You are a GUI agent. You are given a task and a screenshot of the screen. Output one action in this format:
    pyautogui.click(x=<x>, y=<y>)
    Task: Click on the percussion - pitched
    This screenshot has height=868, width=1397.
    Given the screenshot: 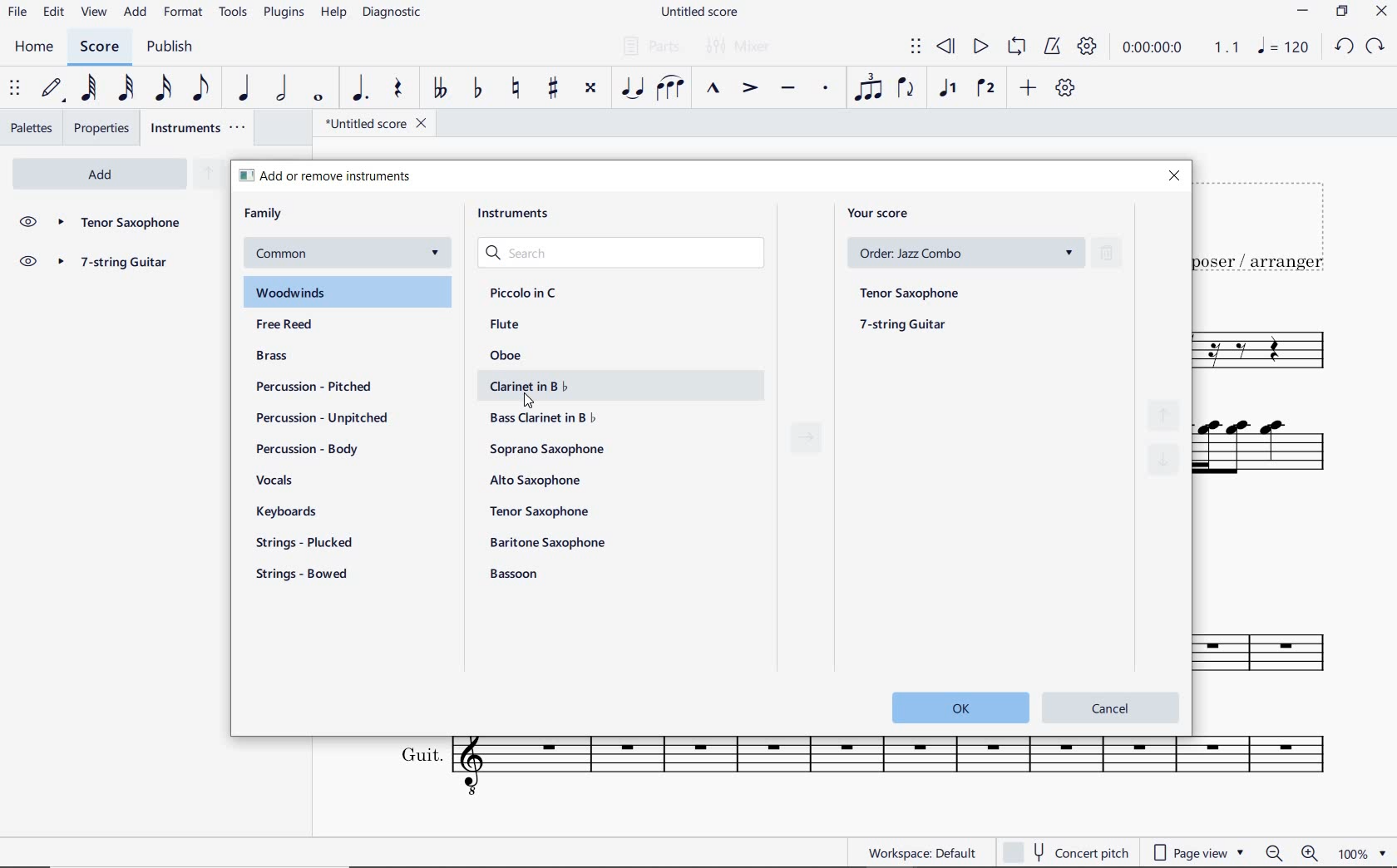 What is the action you would take?
    pyautogui.click(x=309, y=386)
    